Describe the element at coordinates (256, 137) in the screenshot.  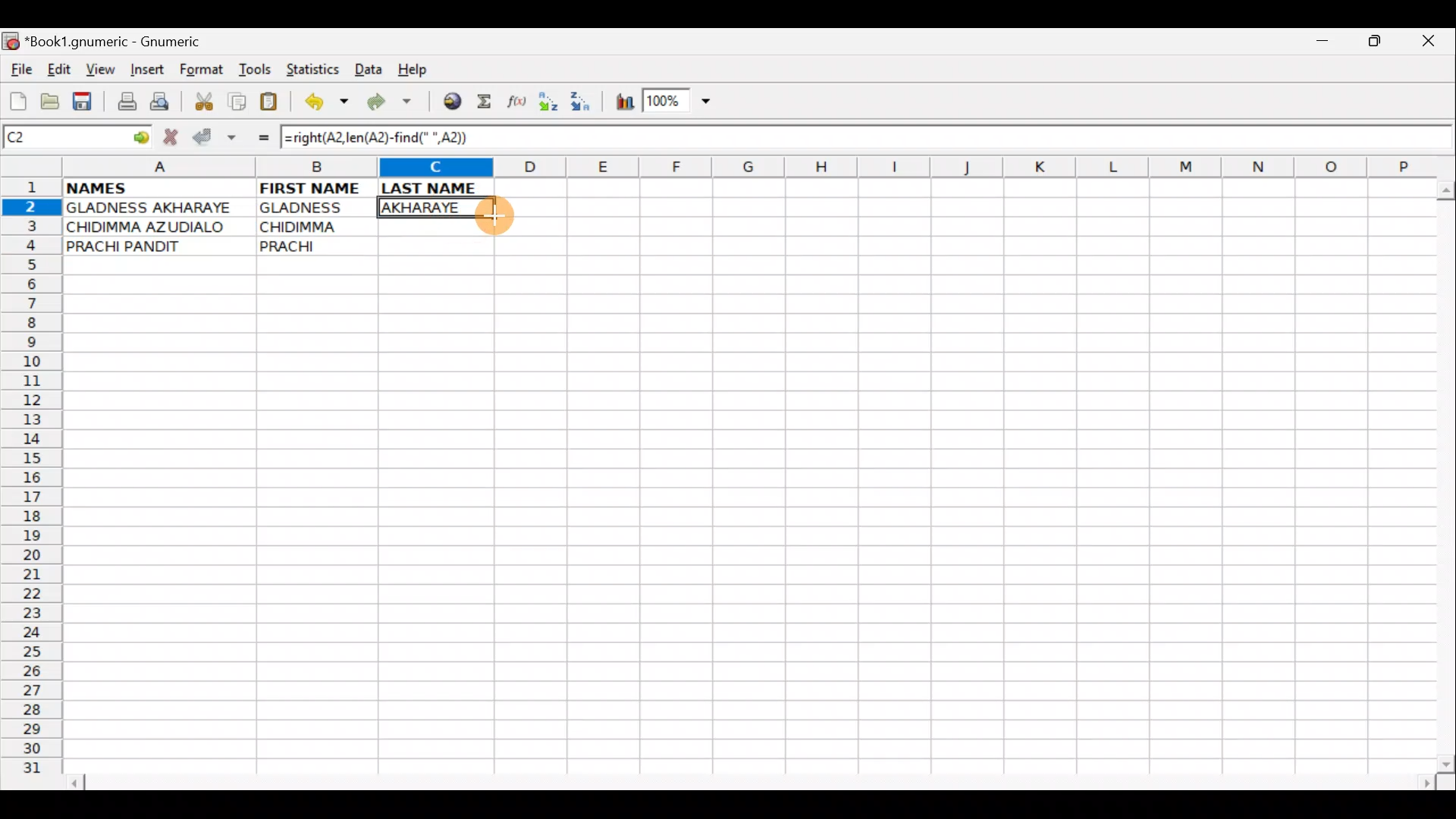
I see `Enter formula` at that location.